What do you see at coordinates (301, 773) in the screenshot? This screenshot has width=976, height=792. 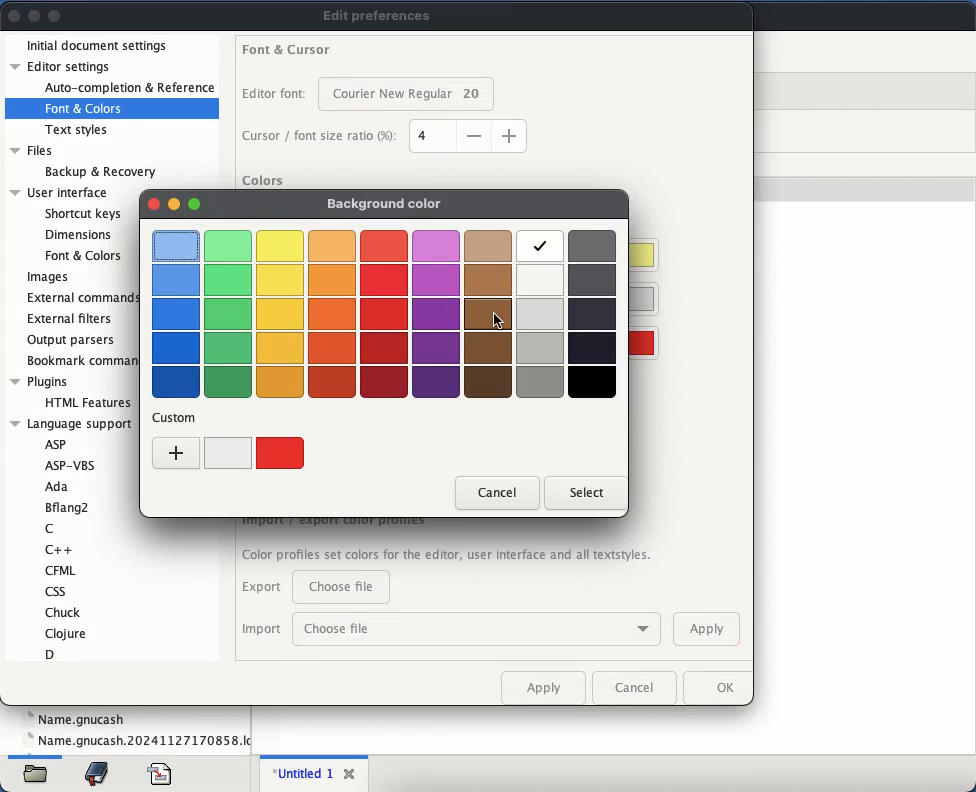 I see `untitled 1` at bounding box center [301, 773].